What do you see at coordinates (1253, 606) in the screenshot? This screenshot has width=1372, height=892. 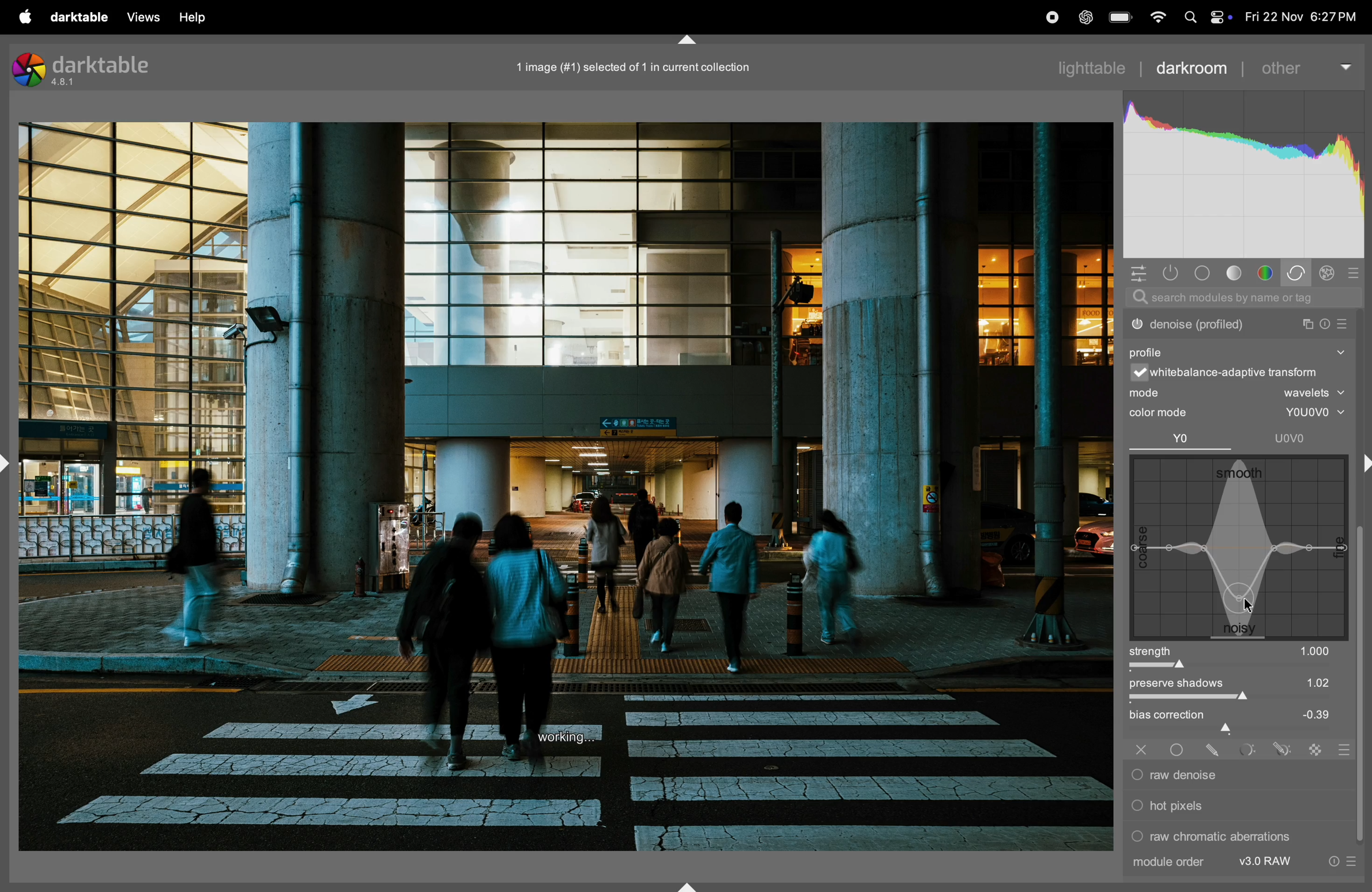 I see `cursor` at bounding box center [1253, 606].